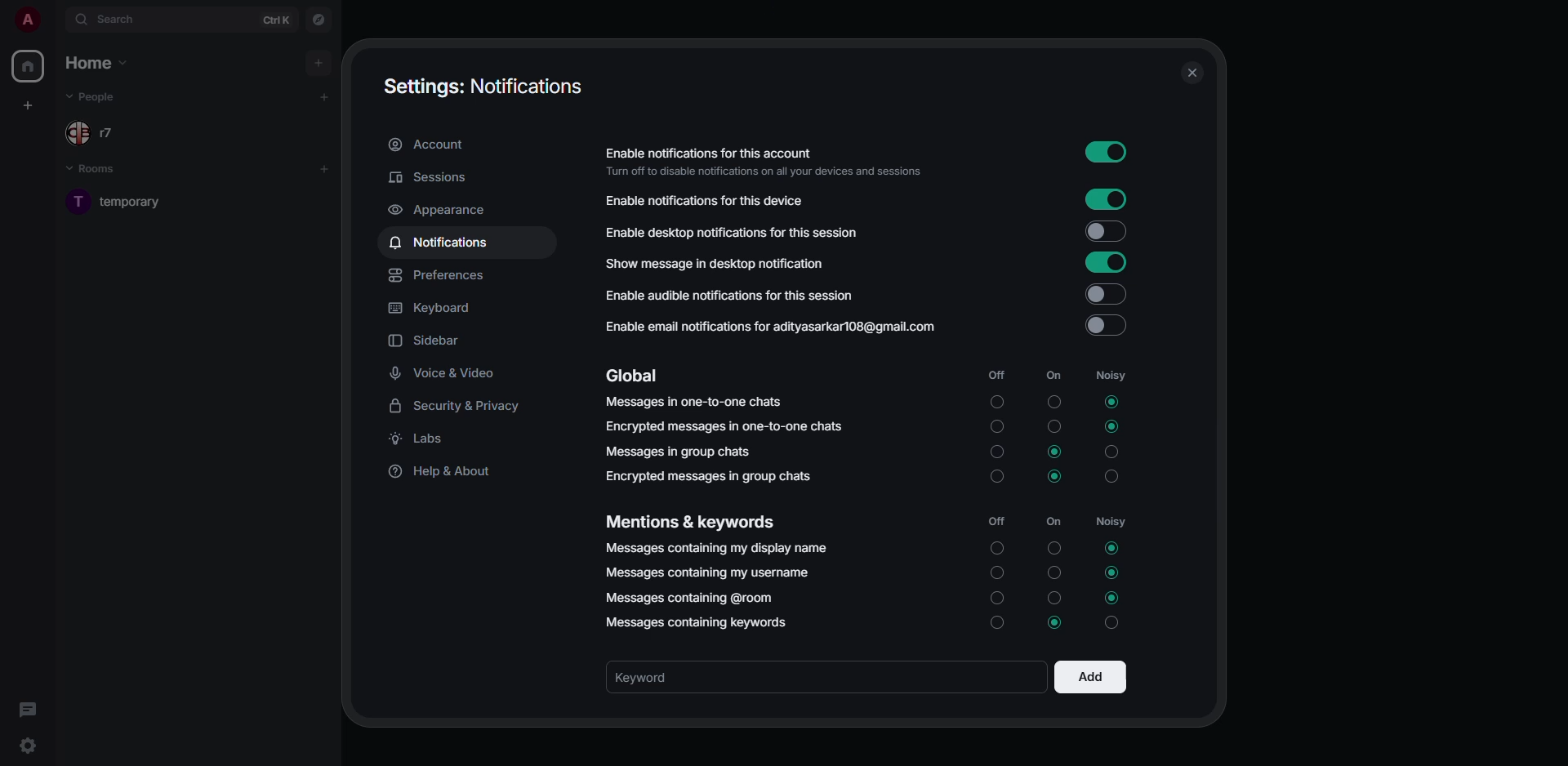  What do you see at coordinates (443, 212) in the screenshot?
I see `appearance` at bounding box center [443, 212].